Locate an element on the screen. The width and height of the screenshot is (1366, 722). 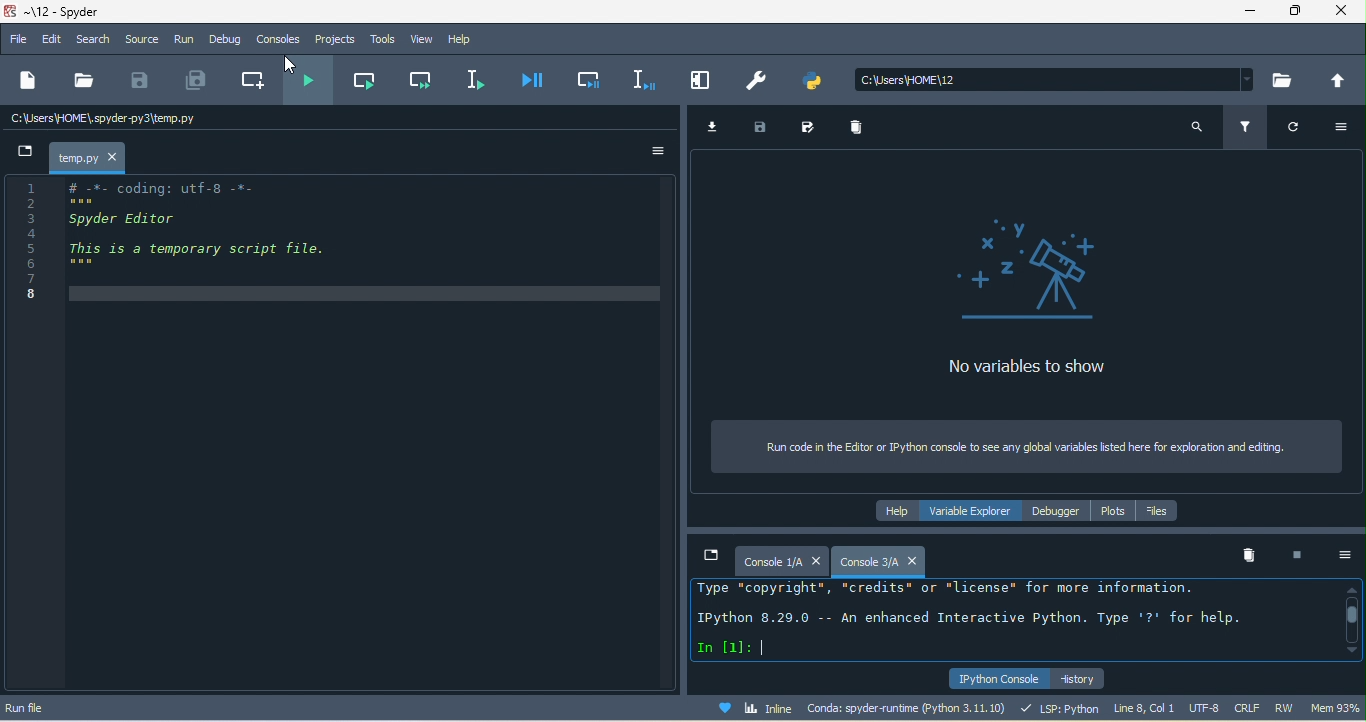
save data as is located at coordinates (811, 128).